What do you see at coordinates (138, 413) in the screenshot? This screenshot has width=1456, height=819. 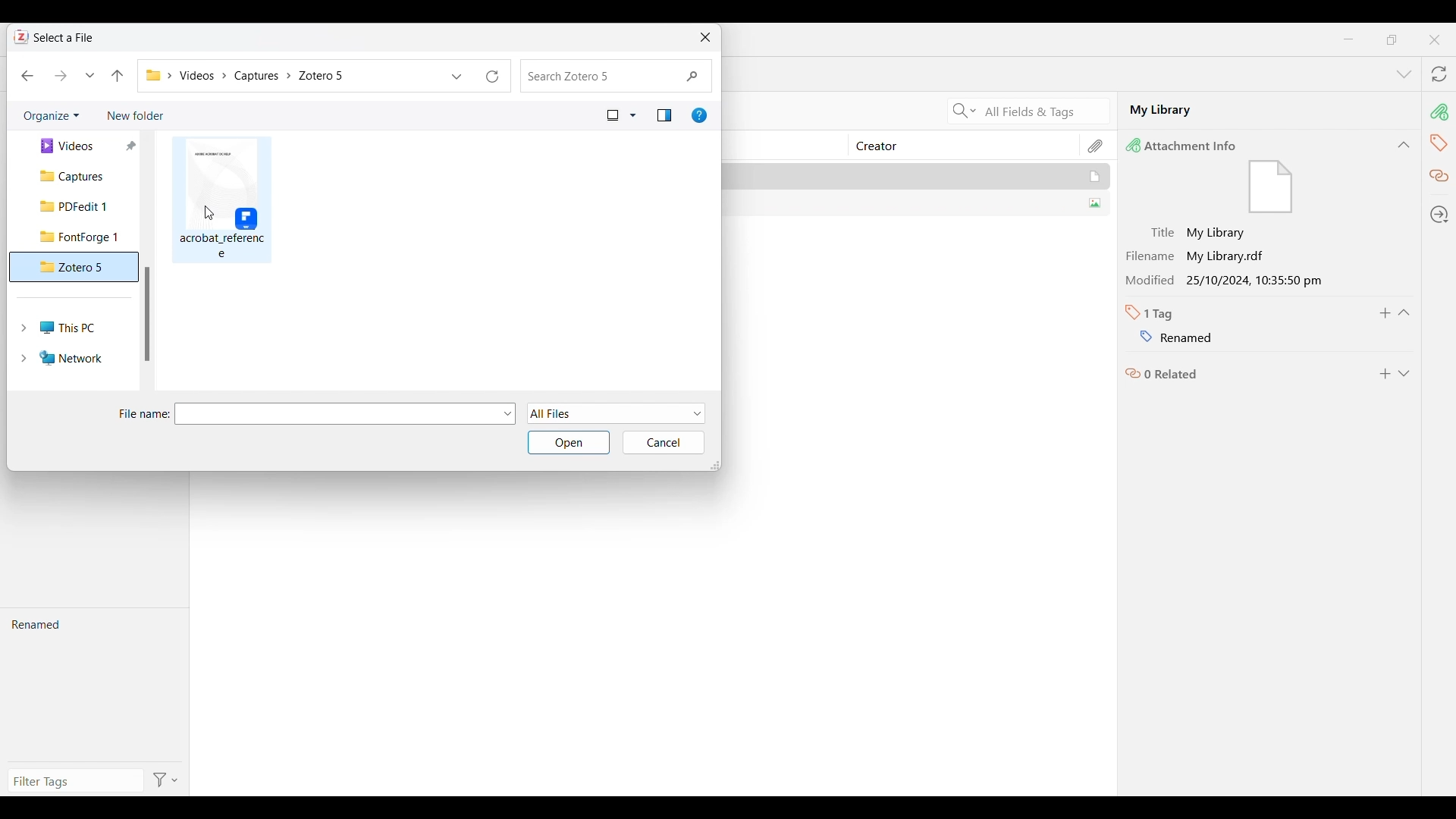 I see `File name:` at bounding box center [138, 413].